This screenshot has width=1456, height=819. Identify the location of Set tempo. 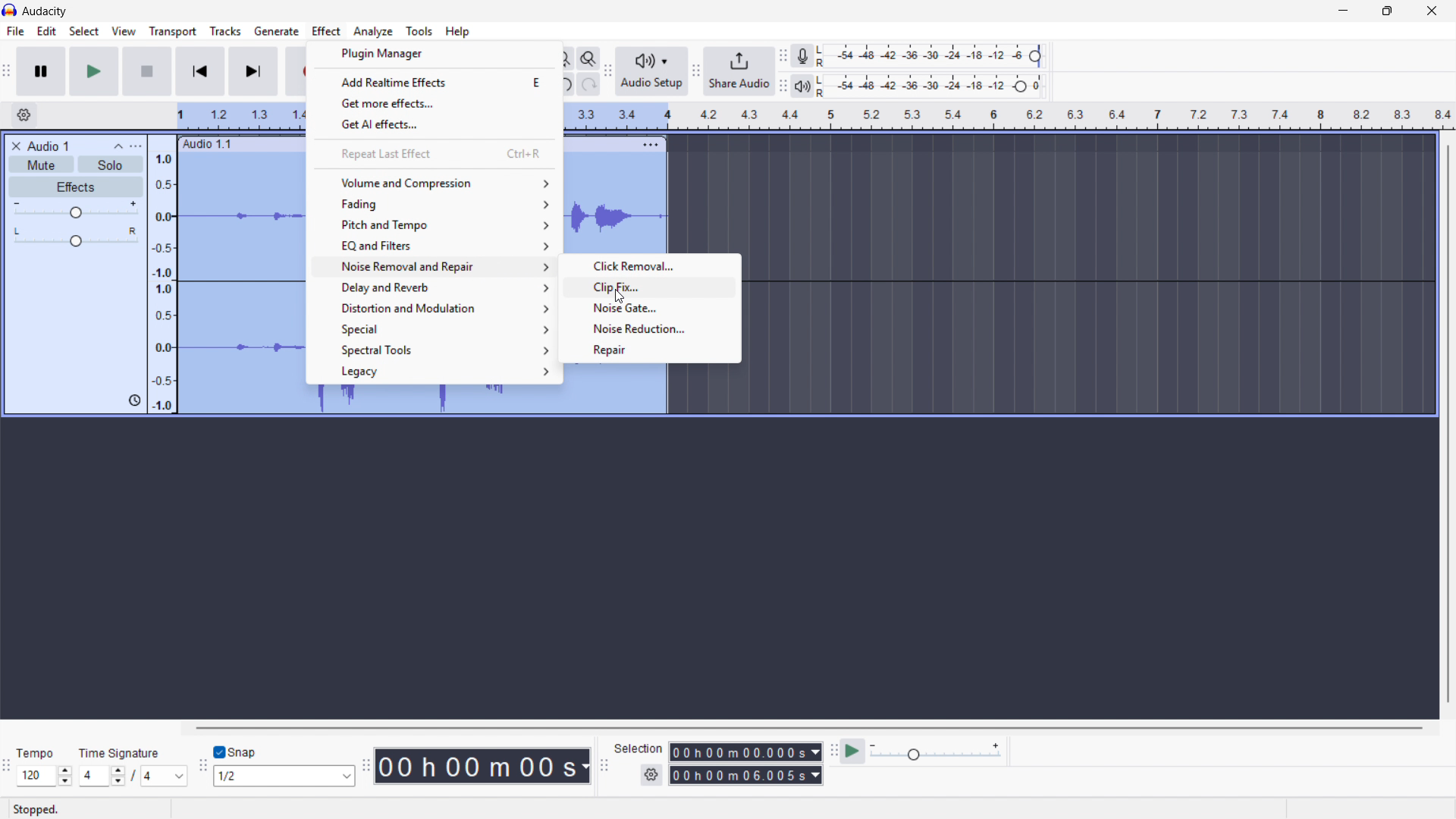
(43, 767).